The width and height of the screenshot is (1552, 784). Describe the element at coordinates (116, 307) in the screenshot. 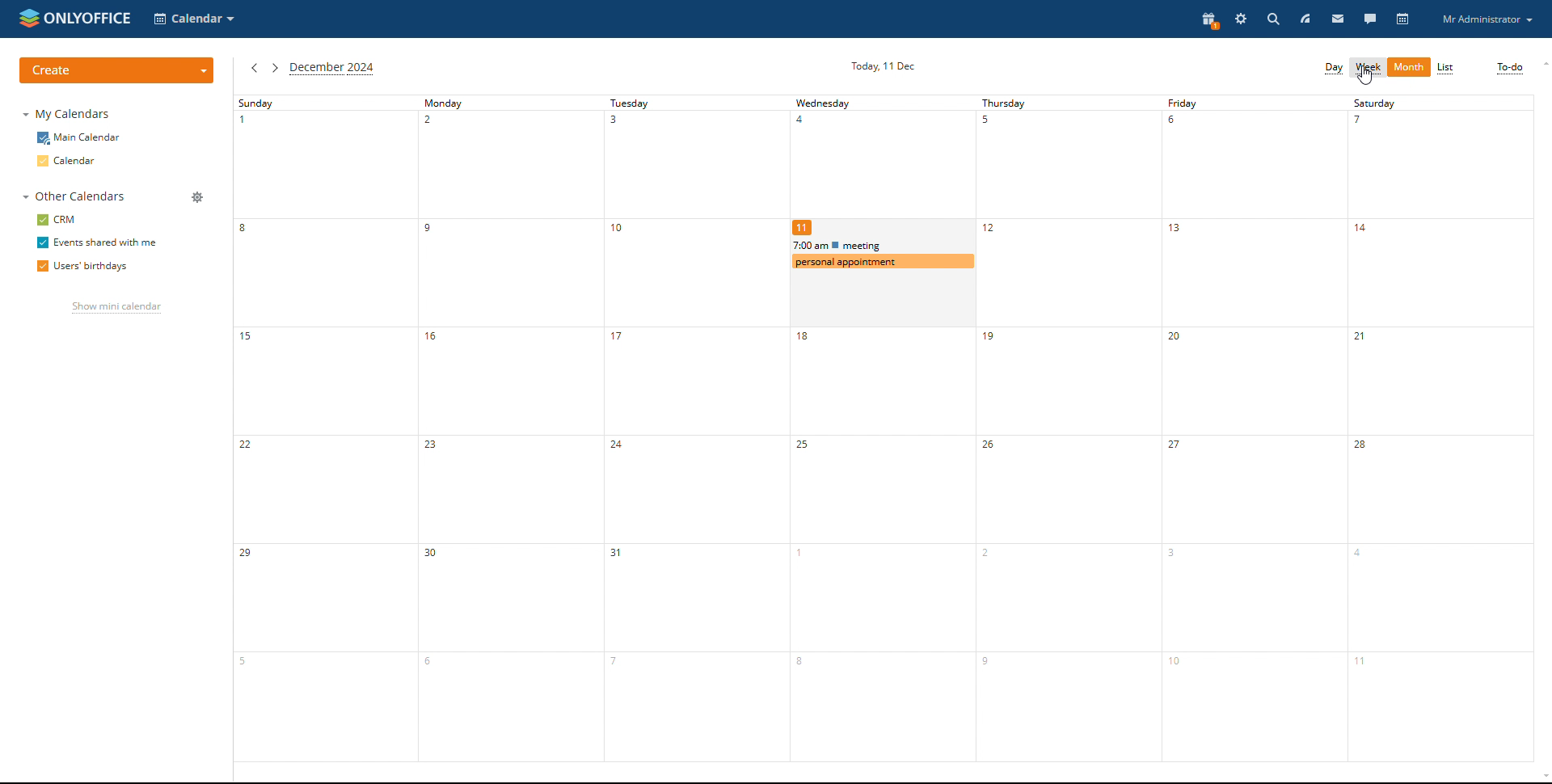

I see `show mini calendar` at that location.